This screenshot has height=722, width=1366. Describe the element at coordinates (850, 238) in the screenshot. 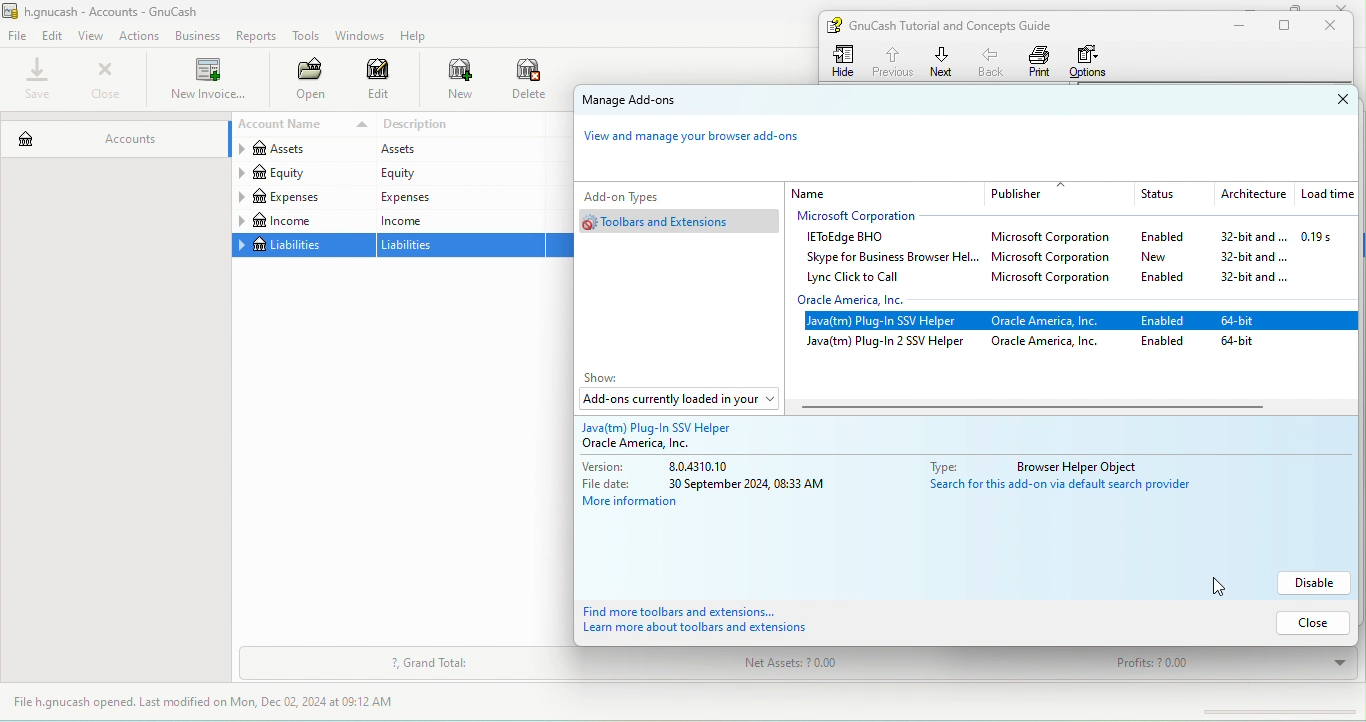

I see `ietoedge bho` at that location.